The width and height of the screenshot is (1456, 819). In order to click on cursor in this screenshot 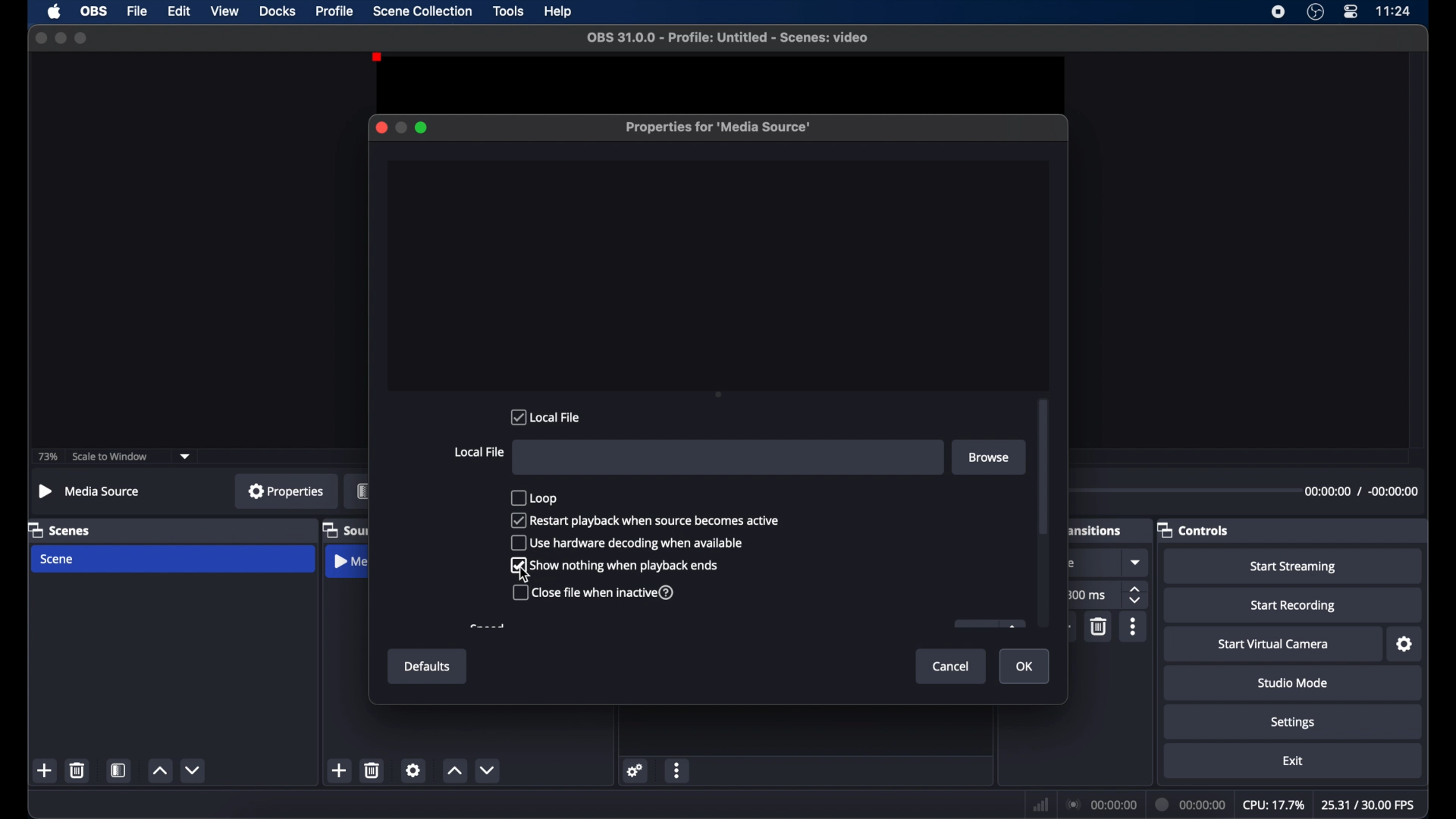, I will do `click(524, 576)`.